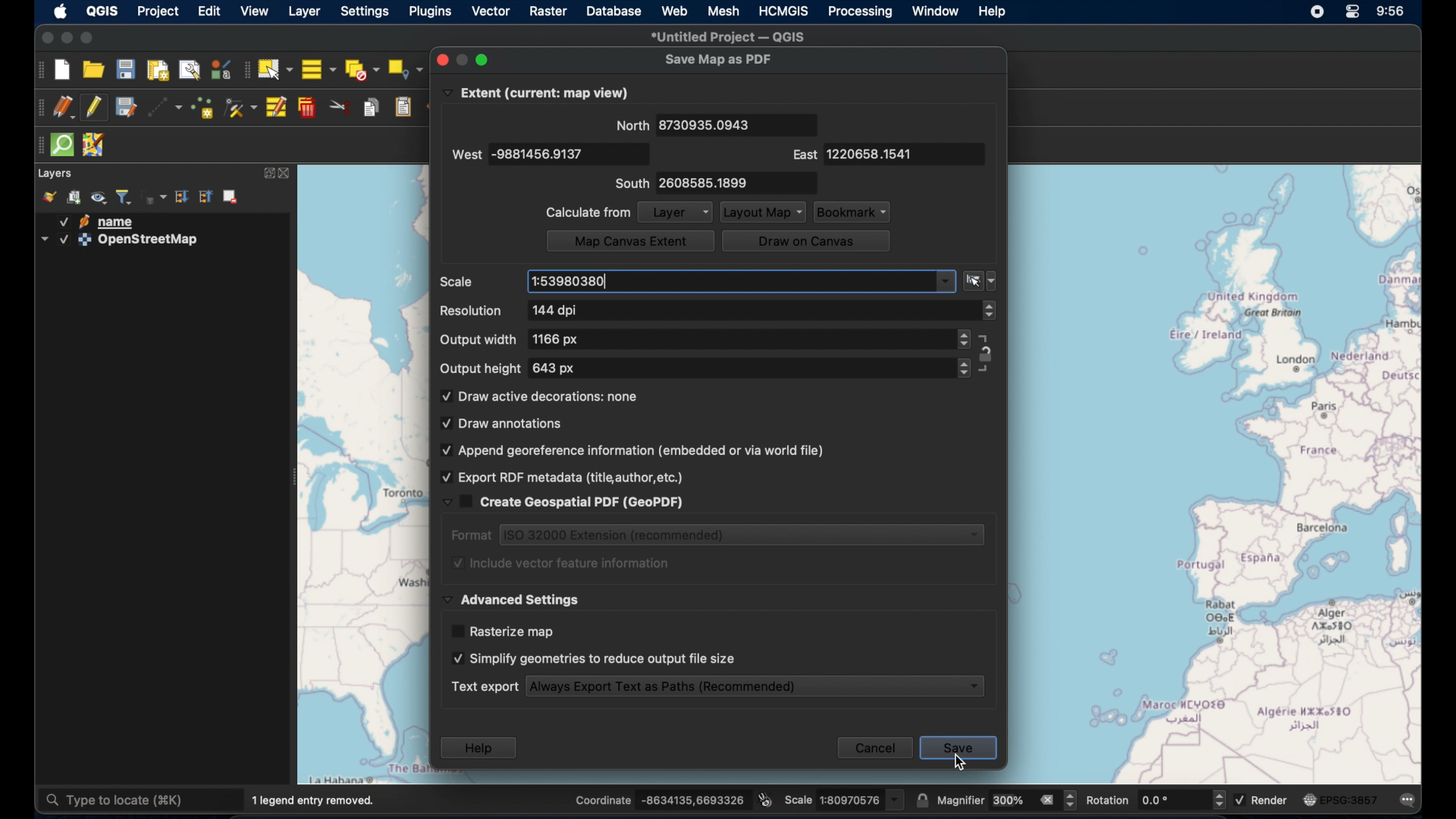 Image resolution: width=1456 pixels, height=819 pixels. What do you see at coordinates (404, 108) in the screenshot?
I see `paste features` at bounding box center [404, 108].